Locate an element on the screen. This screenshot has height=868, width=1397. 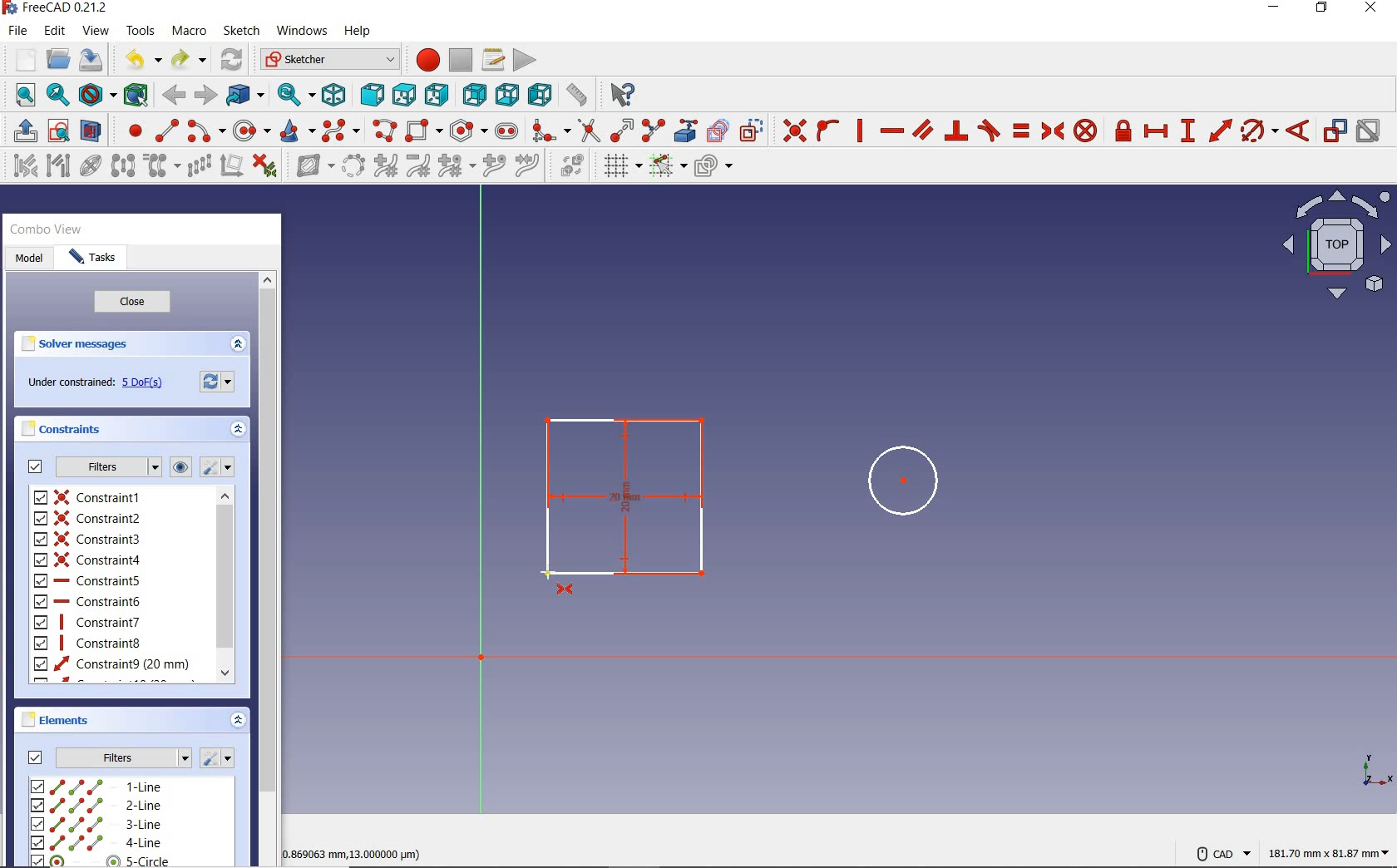
bounding box is located at coordinates (135, 95).